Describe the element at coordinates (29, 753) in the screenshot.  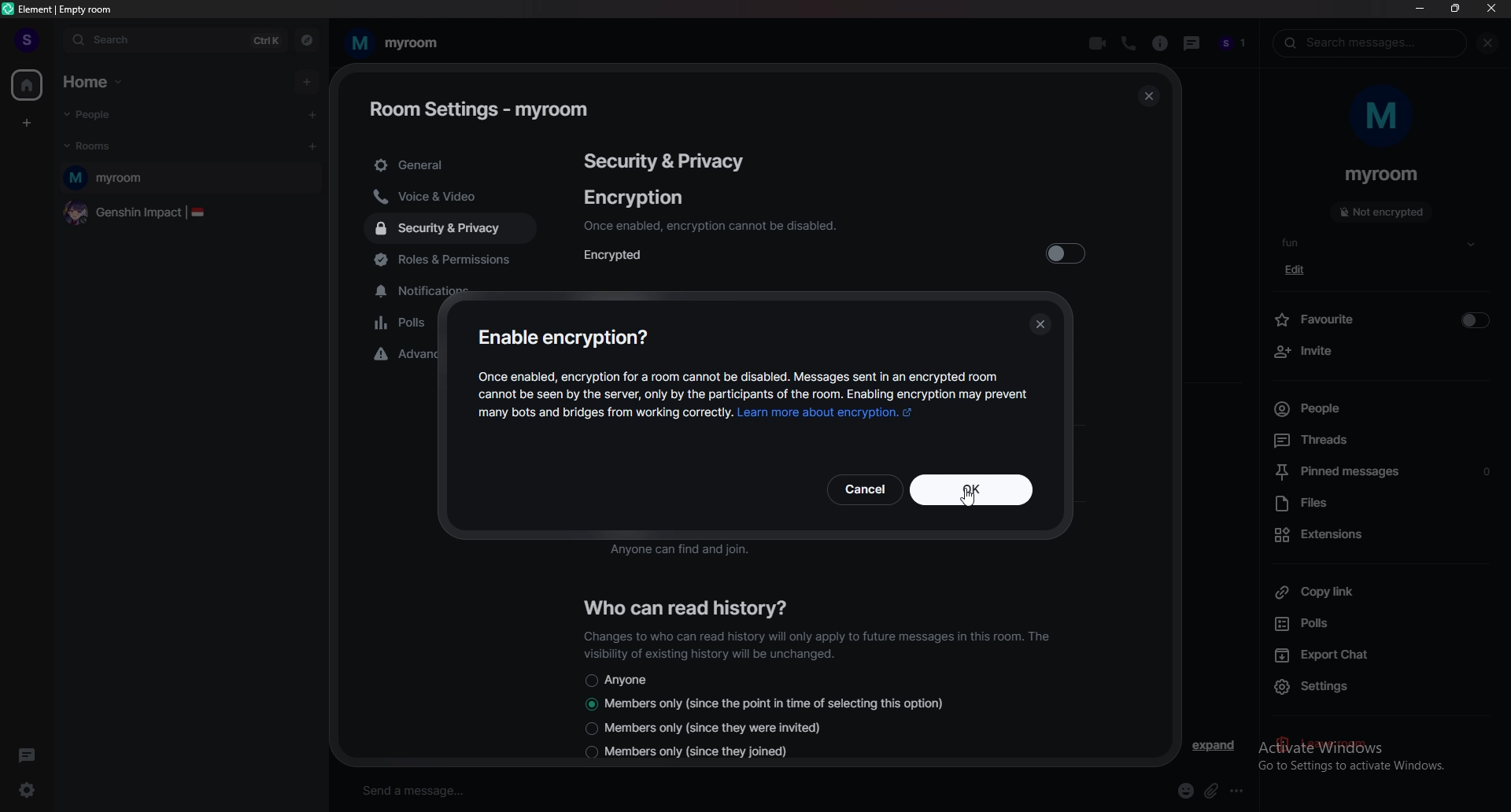
I see `threads` at that location.